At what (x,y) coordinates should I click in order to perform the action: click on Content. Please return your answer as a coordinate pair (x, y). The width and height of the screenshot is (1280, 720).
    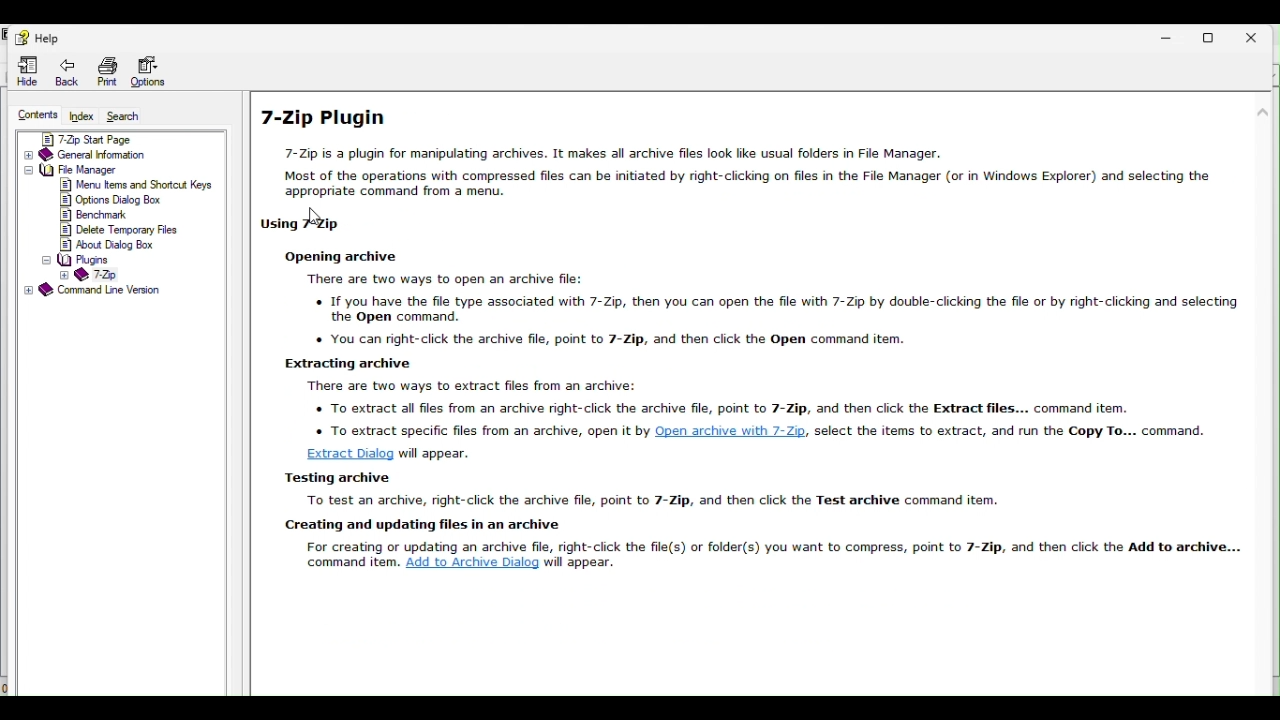
    Looking at the image, I should click on (32, 114).